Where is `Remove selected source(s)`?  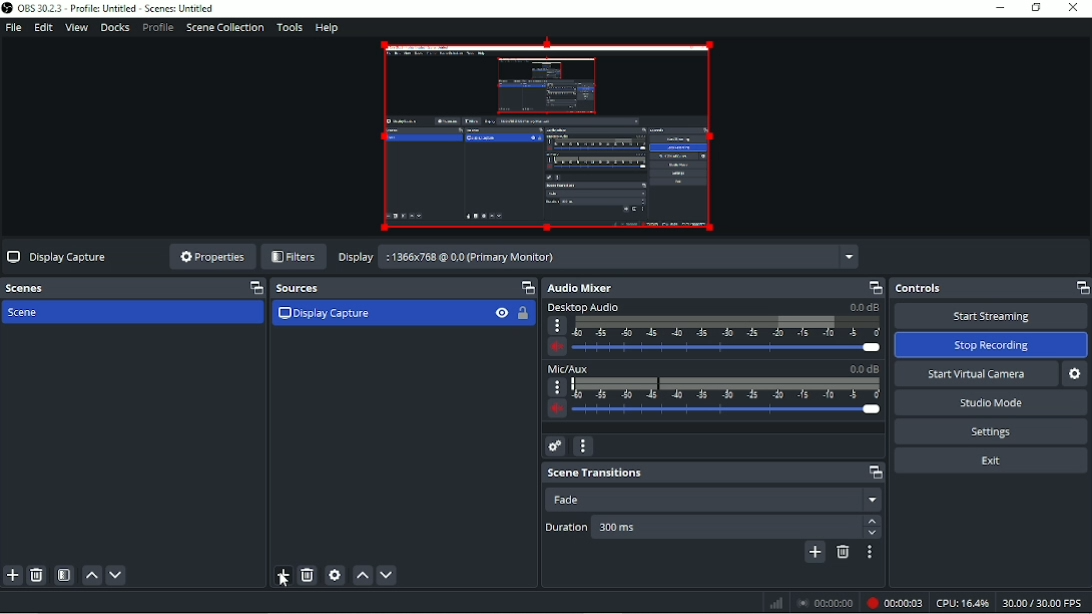 Remove selected source(s) is located at coordinates (308, 576).